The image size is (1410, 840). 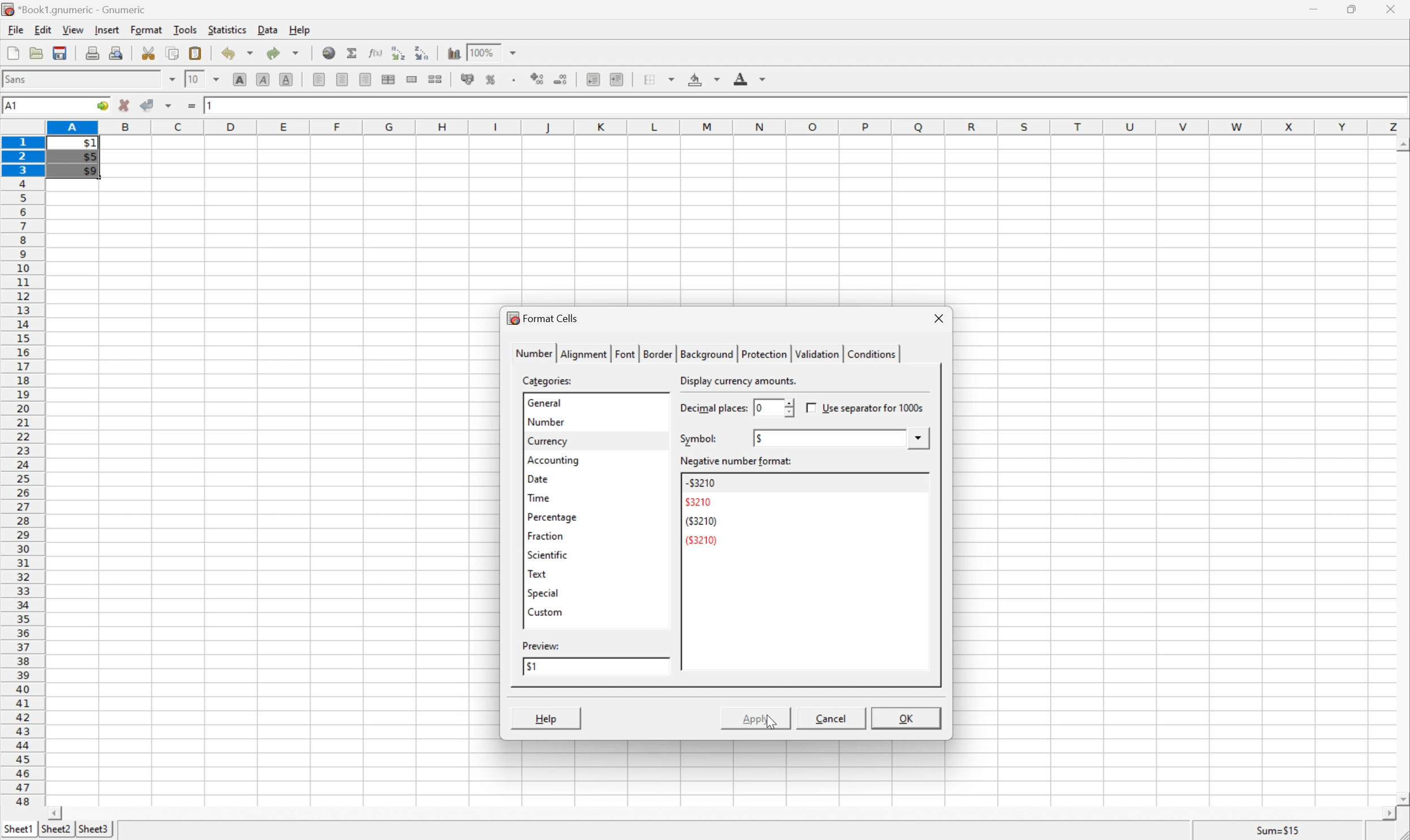 I want to click on categories, so click(x=549, y=380).